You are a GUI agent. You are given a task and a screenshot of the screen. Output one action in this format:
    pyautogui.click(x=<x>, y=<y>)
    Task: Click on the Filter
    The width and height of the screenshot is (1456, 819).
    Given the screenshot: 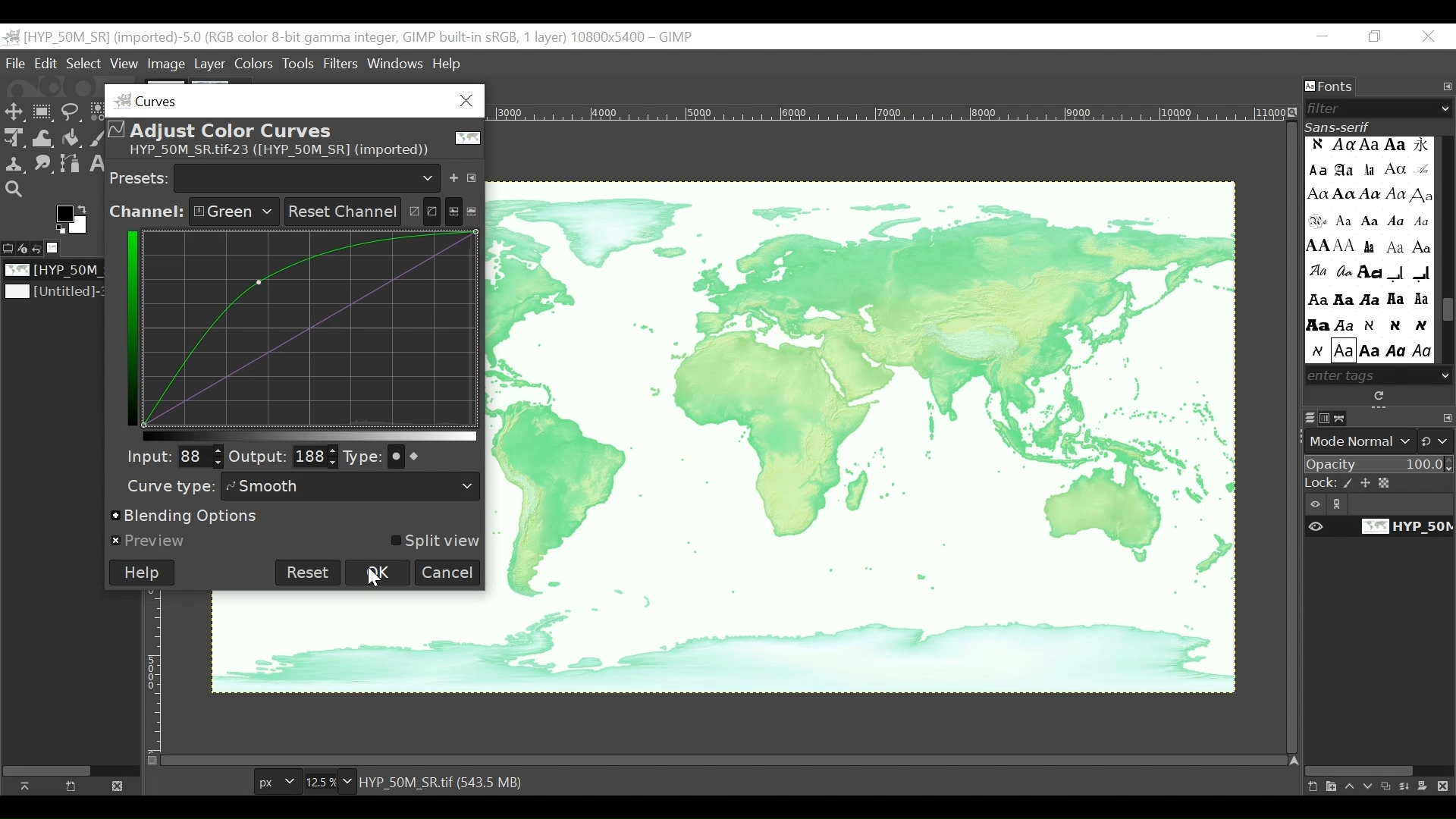 What is the action you would take?
    pyautogui.click(x=1373, y=108)
    